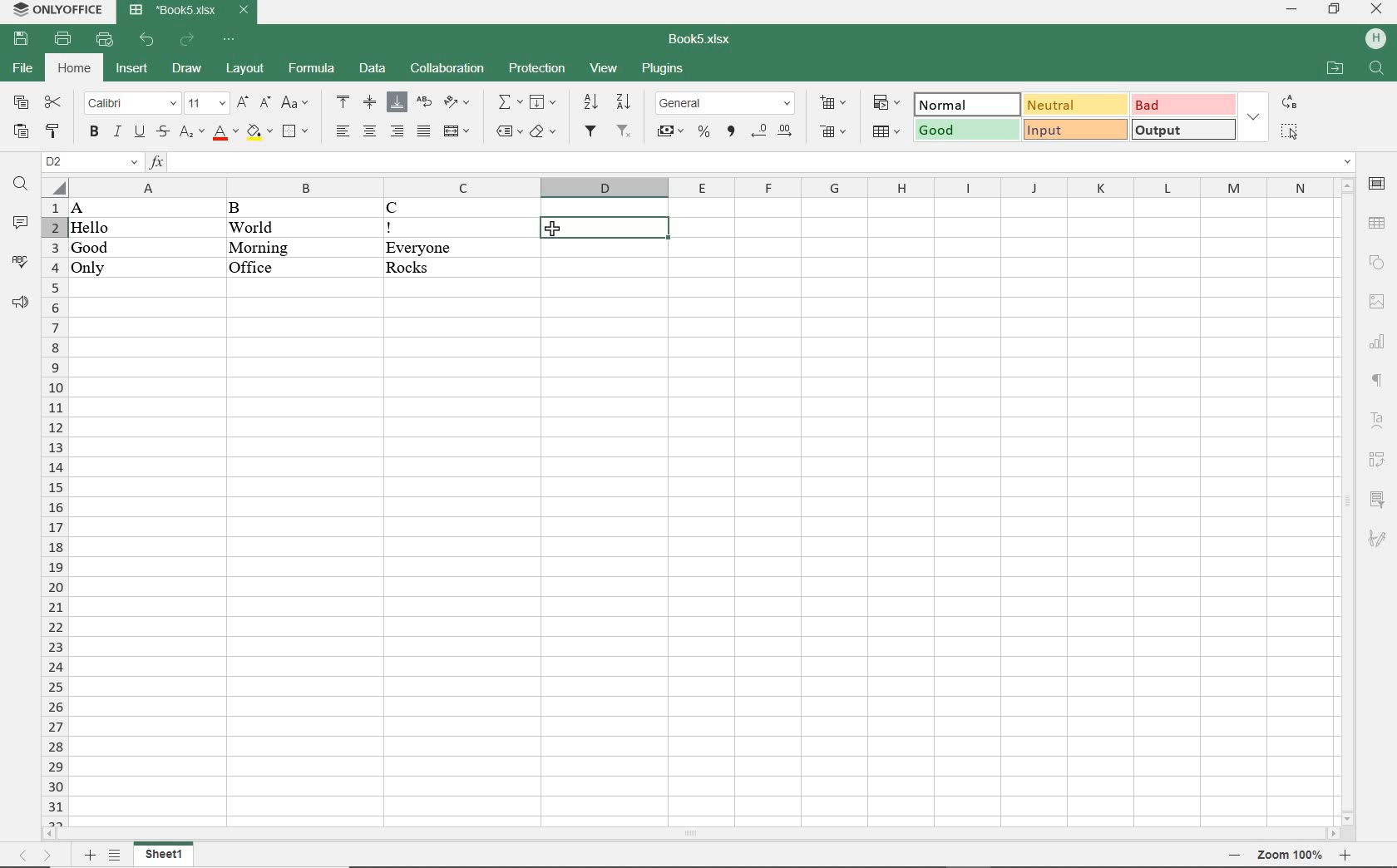 This screenshot has height=868, width=1397. Describe the element at coordinates (106, 41) in the screenshot. I see `quick print` at that location.